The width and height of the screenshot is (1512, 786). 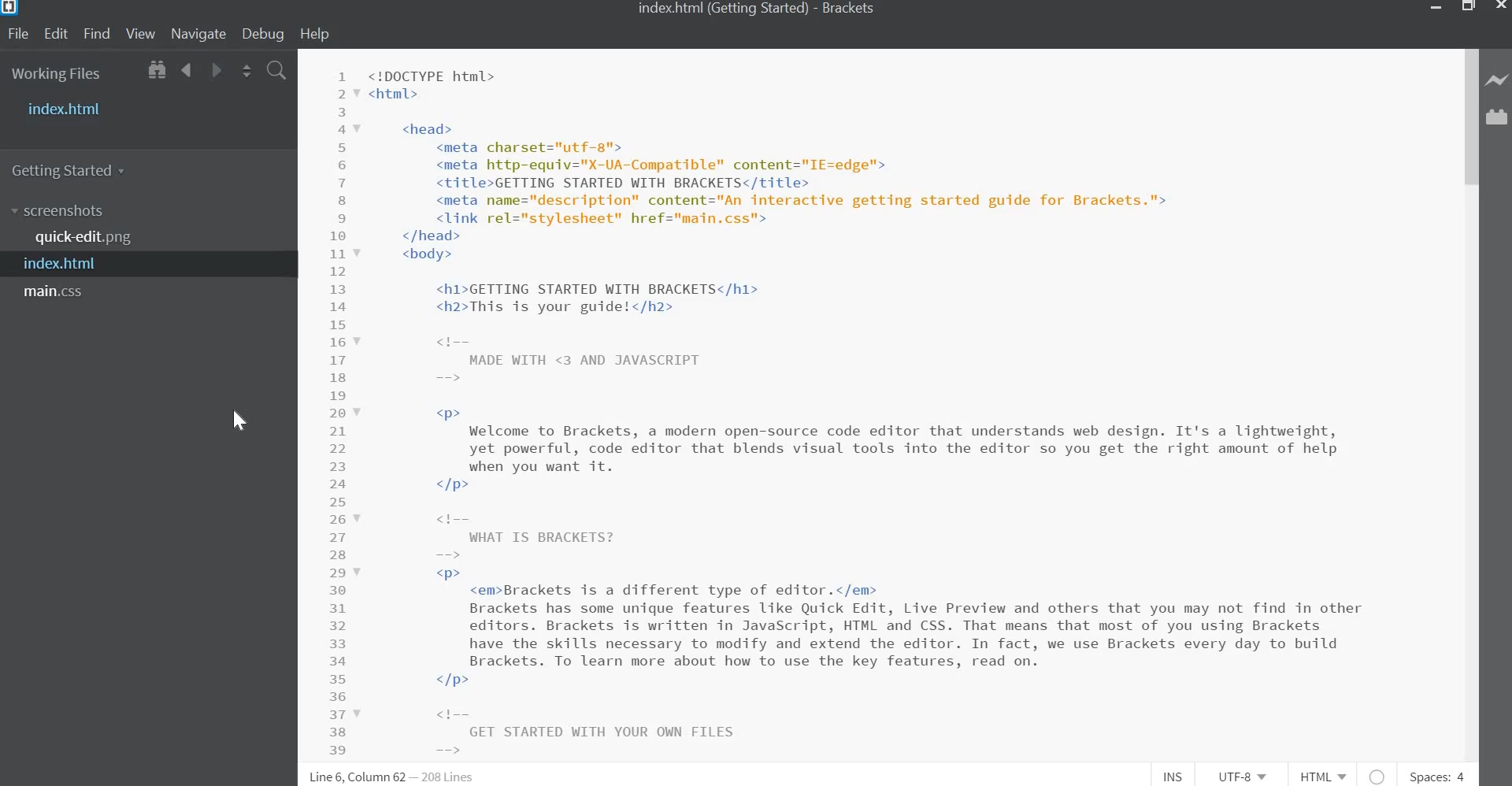 I want to click on Index.html file, so click(x=68, y=265).